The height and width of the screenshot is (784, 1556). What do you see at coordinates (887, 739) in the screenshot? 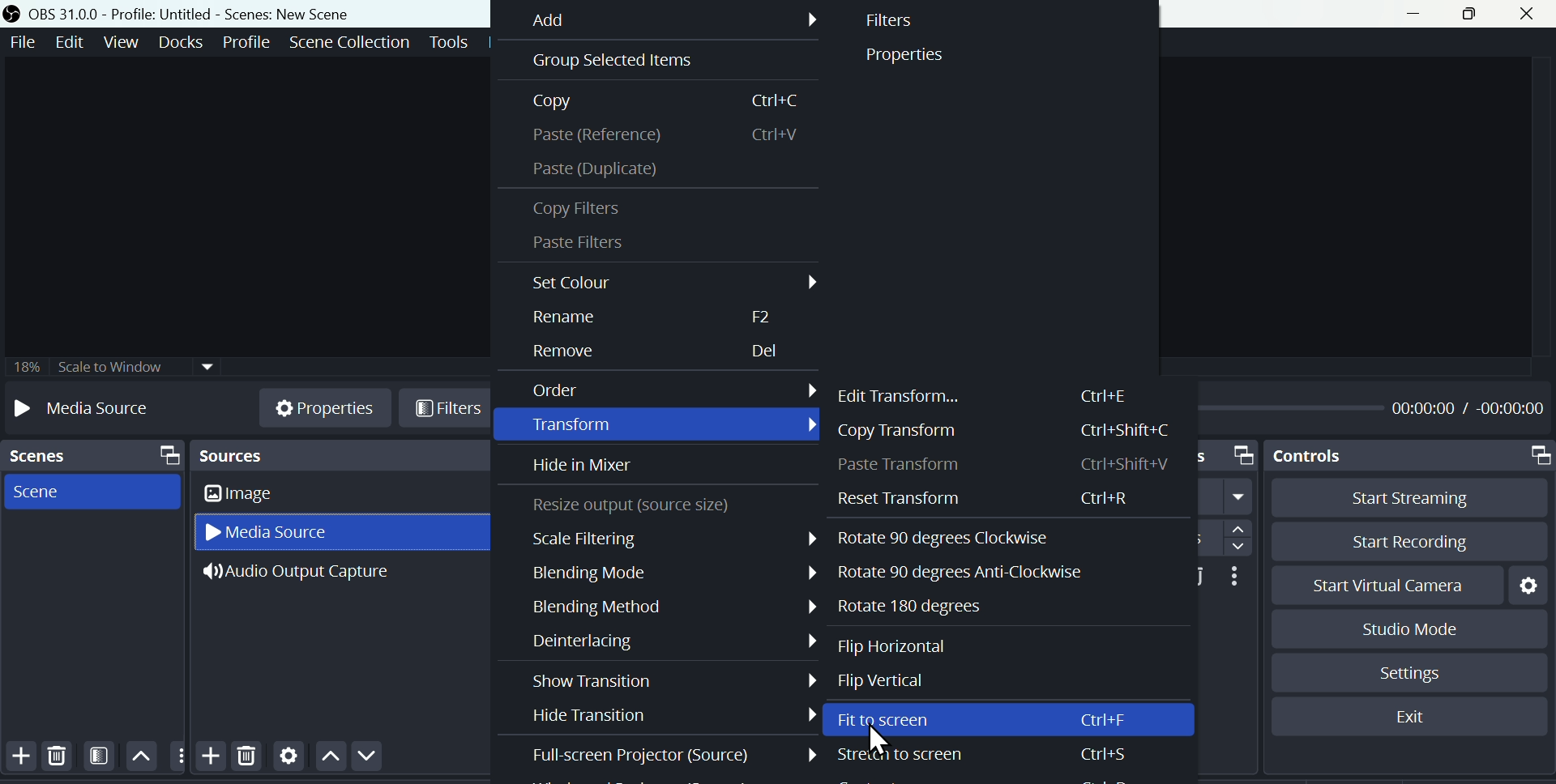
I see `Cursor` at bounding box center [887, 739].